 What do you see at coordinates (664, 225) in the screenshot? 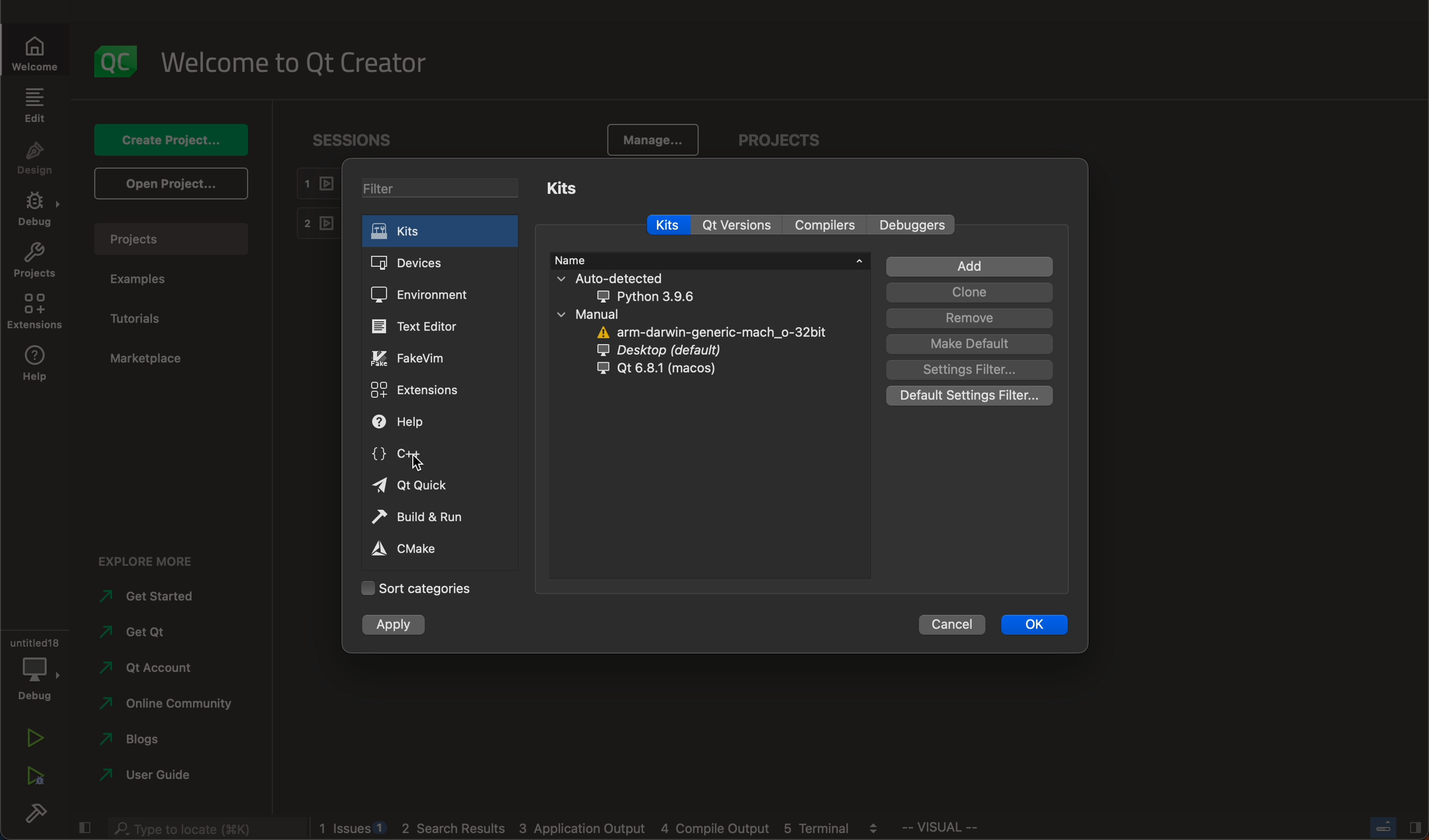
I see `kits` at bounding box center [664, 225].